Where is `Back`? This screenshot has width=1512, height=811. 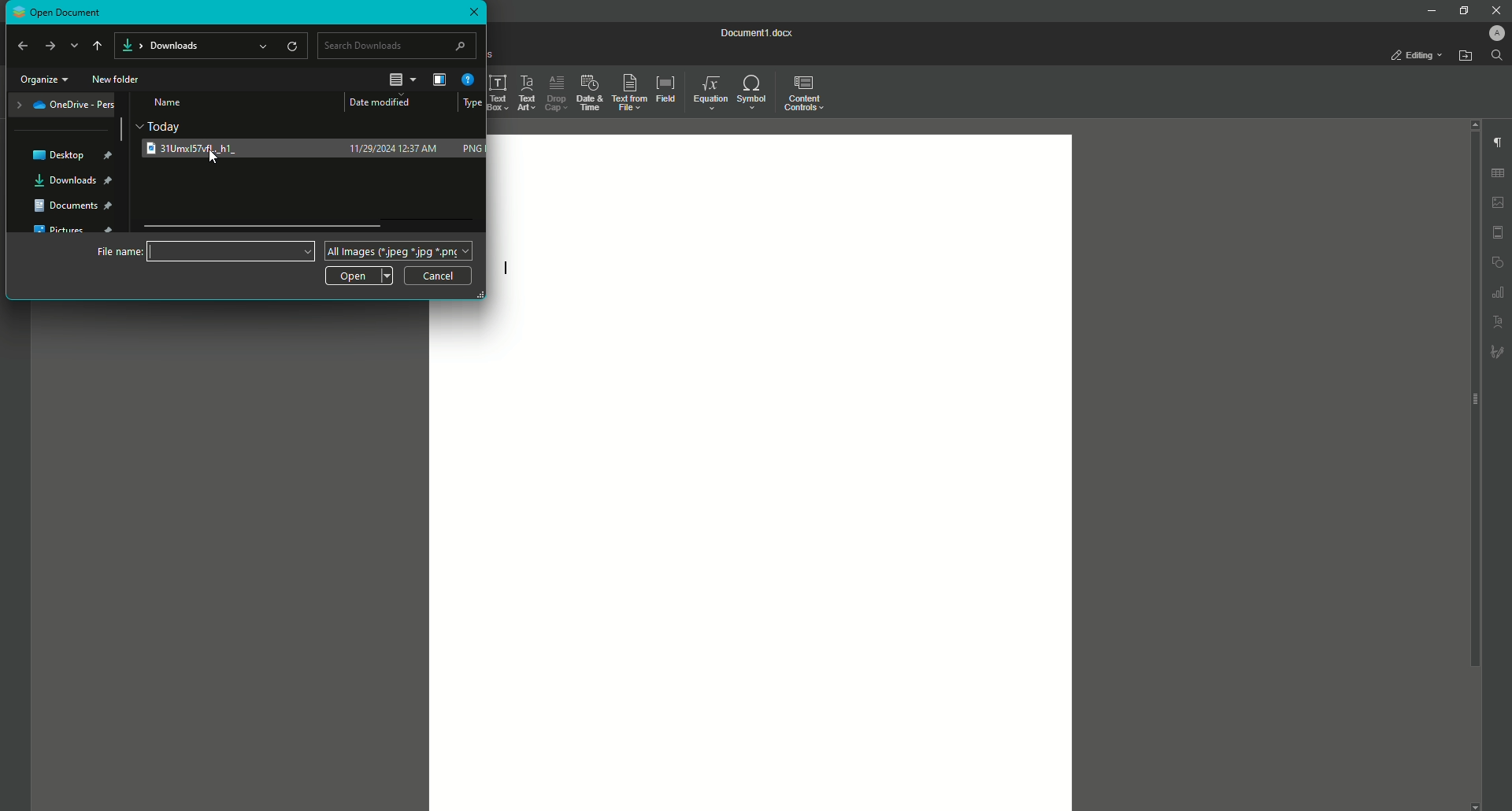
Back is located at coordinates (22, 46).